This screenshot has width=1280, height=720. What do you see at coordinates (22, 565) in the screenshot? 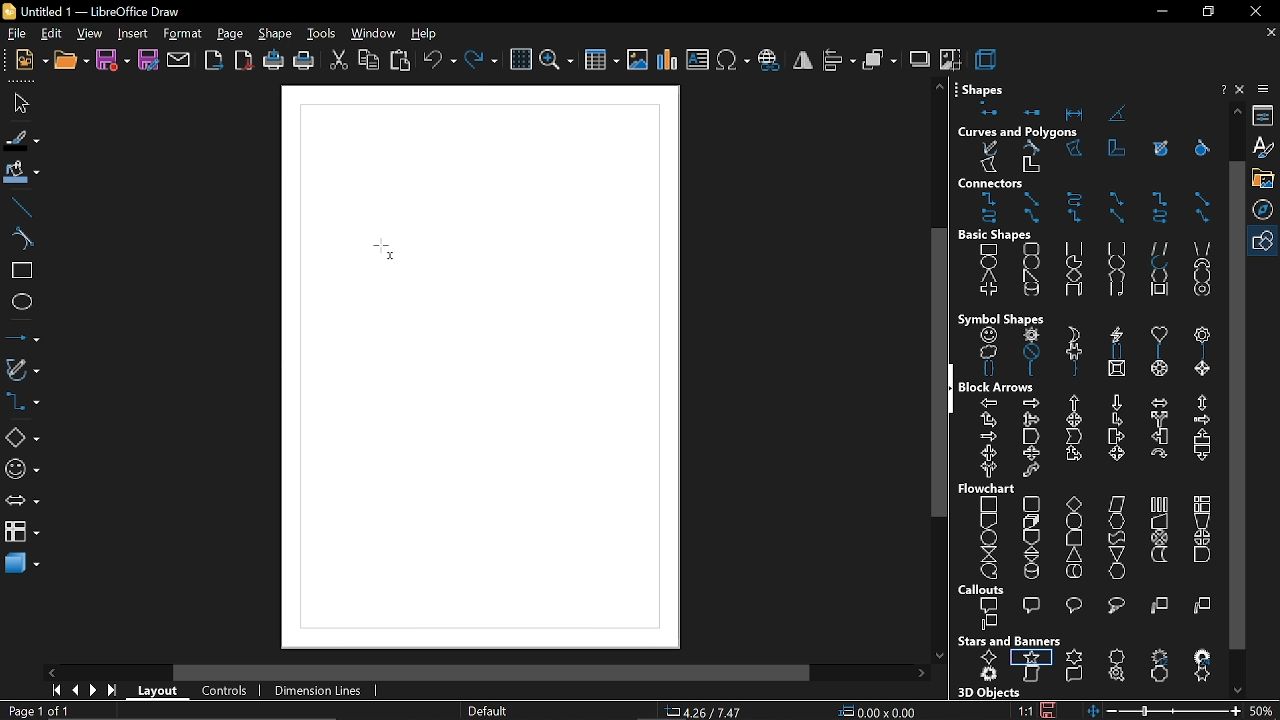
I see `3d shapes` at bounding box center [22, 565].